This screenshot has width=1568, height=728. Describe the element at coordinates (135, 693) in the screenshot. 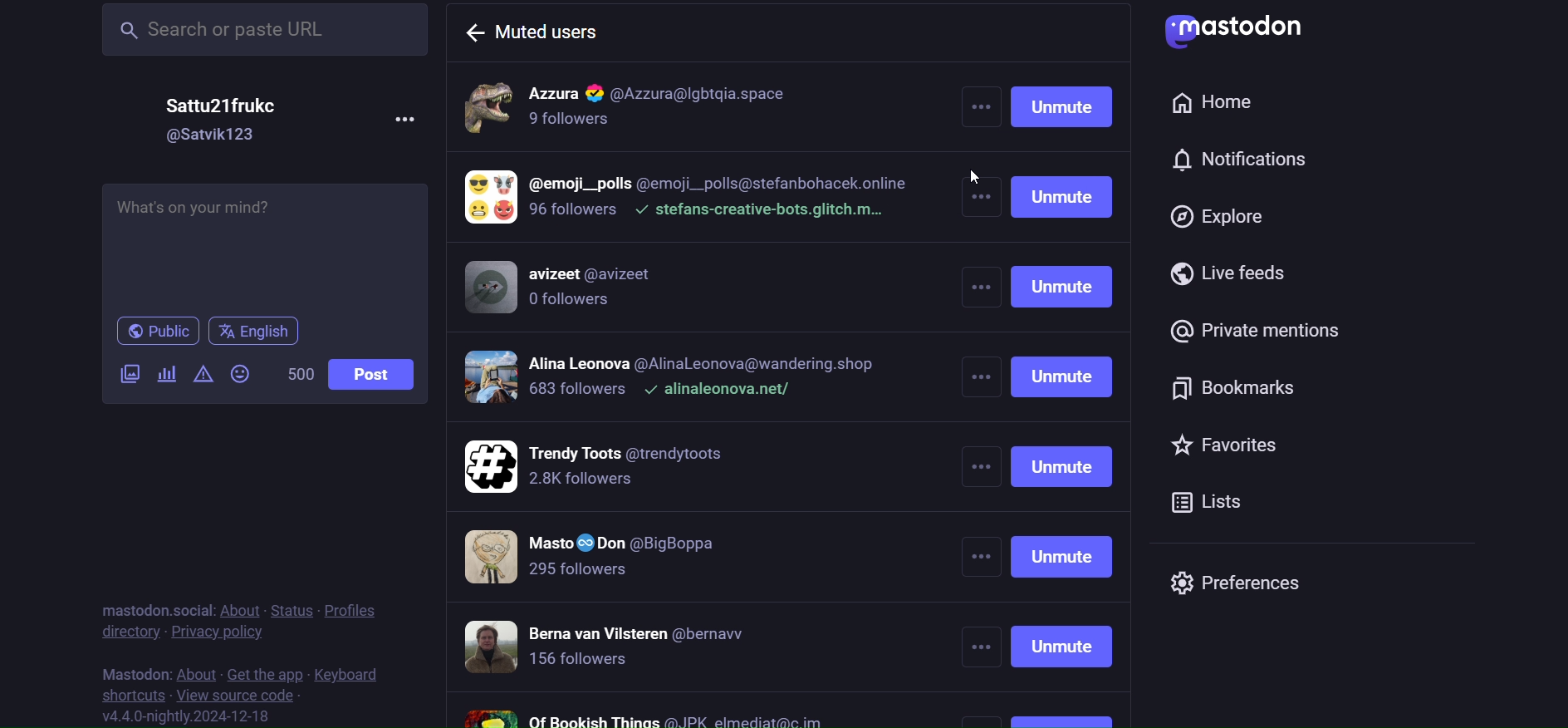

I see `shortcut` at that location.